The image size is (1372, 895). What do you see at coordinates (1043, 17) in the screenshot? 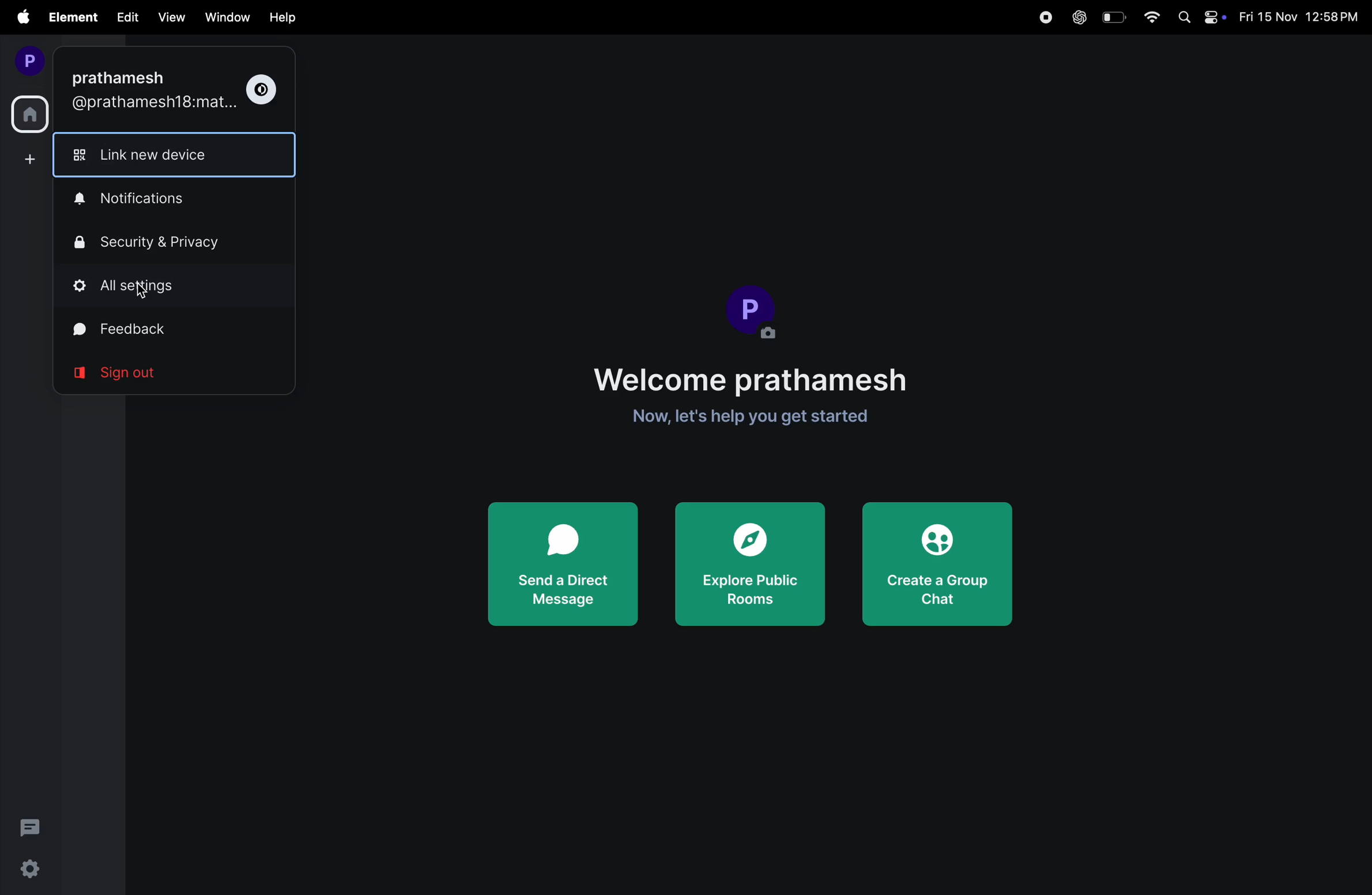
I see `record` at bounding box center [1043, 17].